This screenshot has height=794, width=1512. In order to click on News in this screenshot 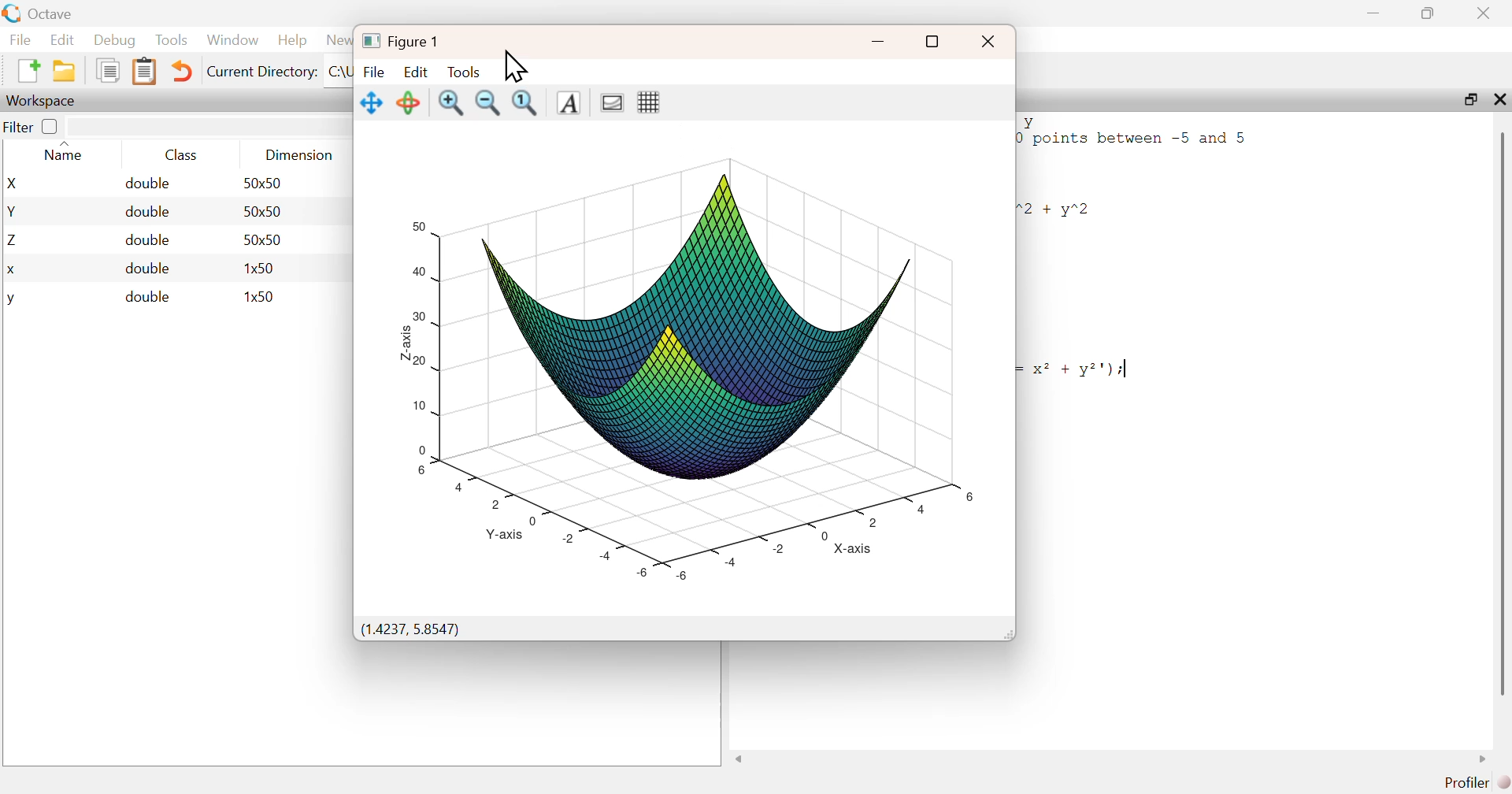, I will do `click(339, 40)`.